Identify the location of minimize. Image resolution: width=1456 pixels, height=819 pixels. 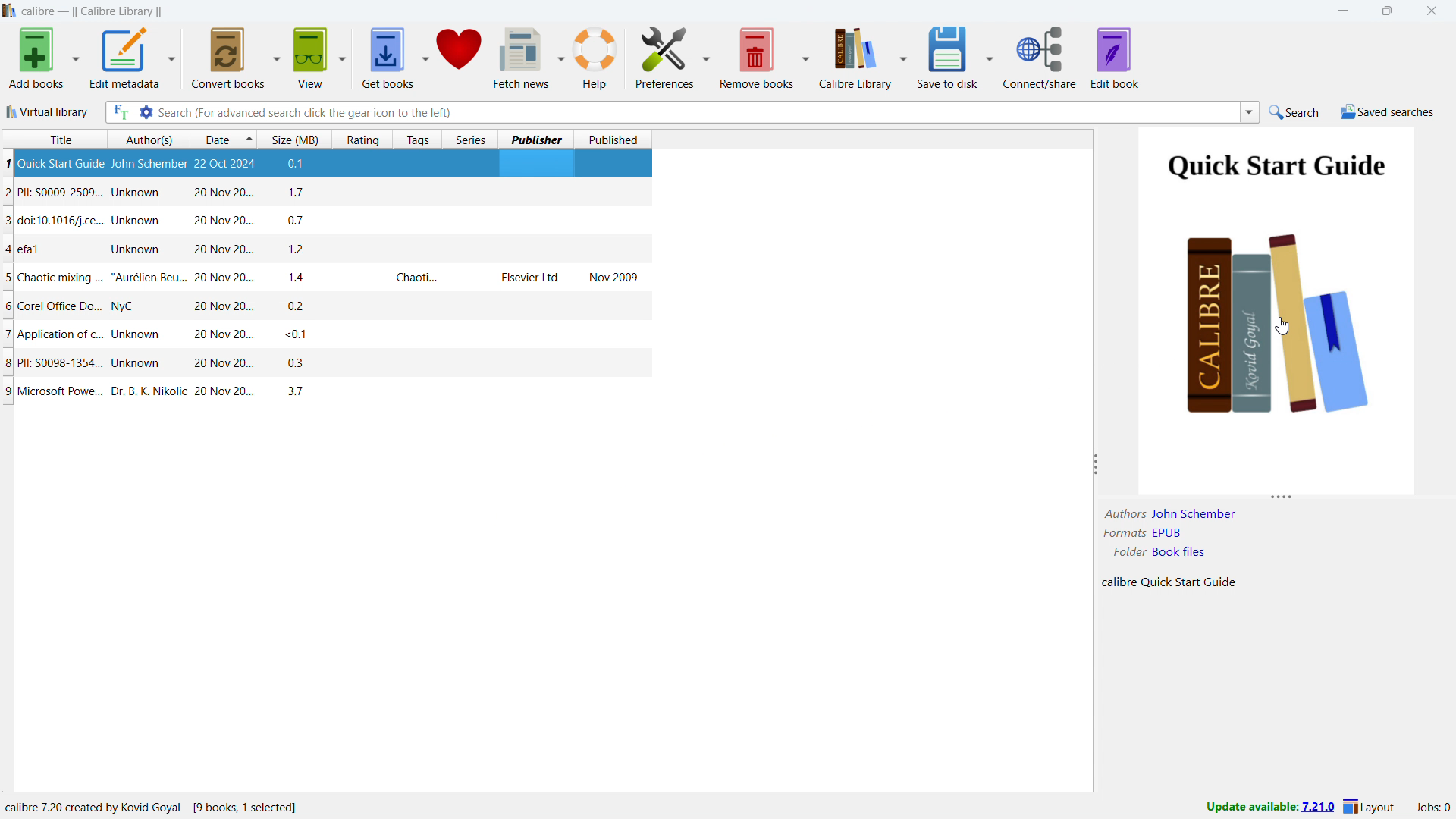
(1341, 11).